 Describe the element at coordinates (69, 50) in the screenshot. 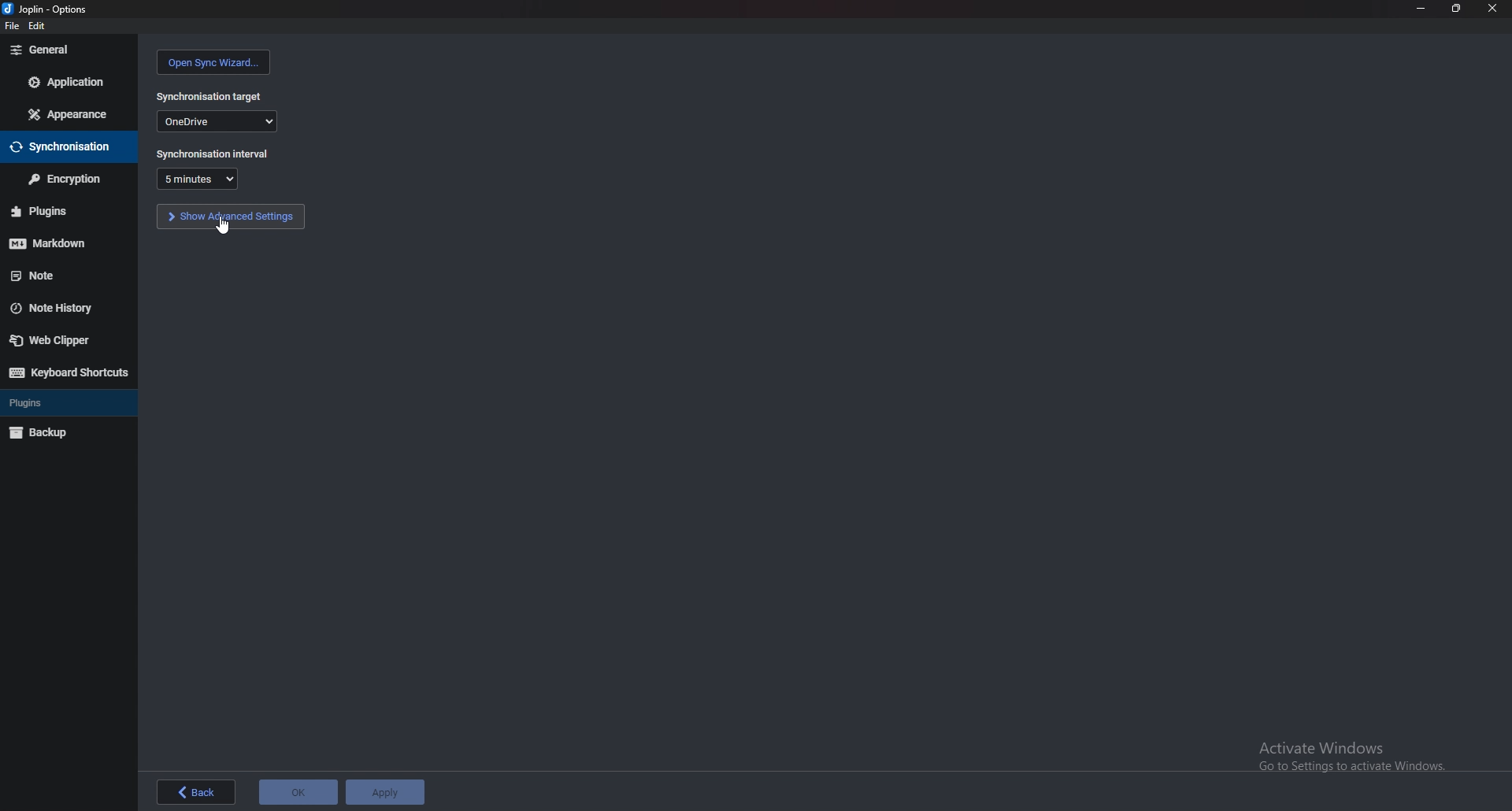

I see `general` at that location.